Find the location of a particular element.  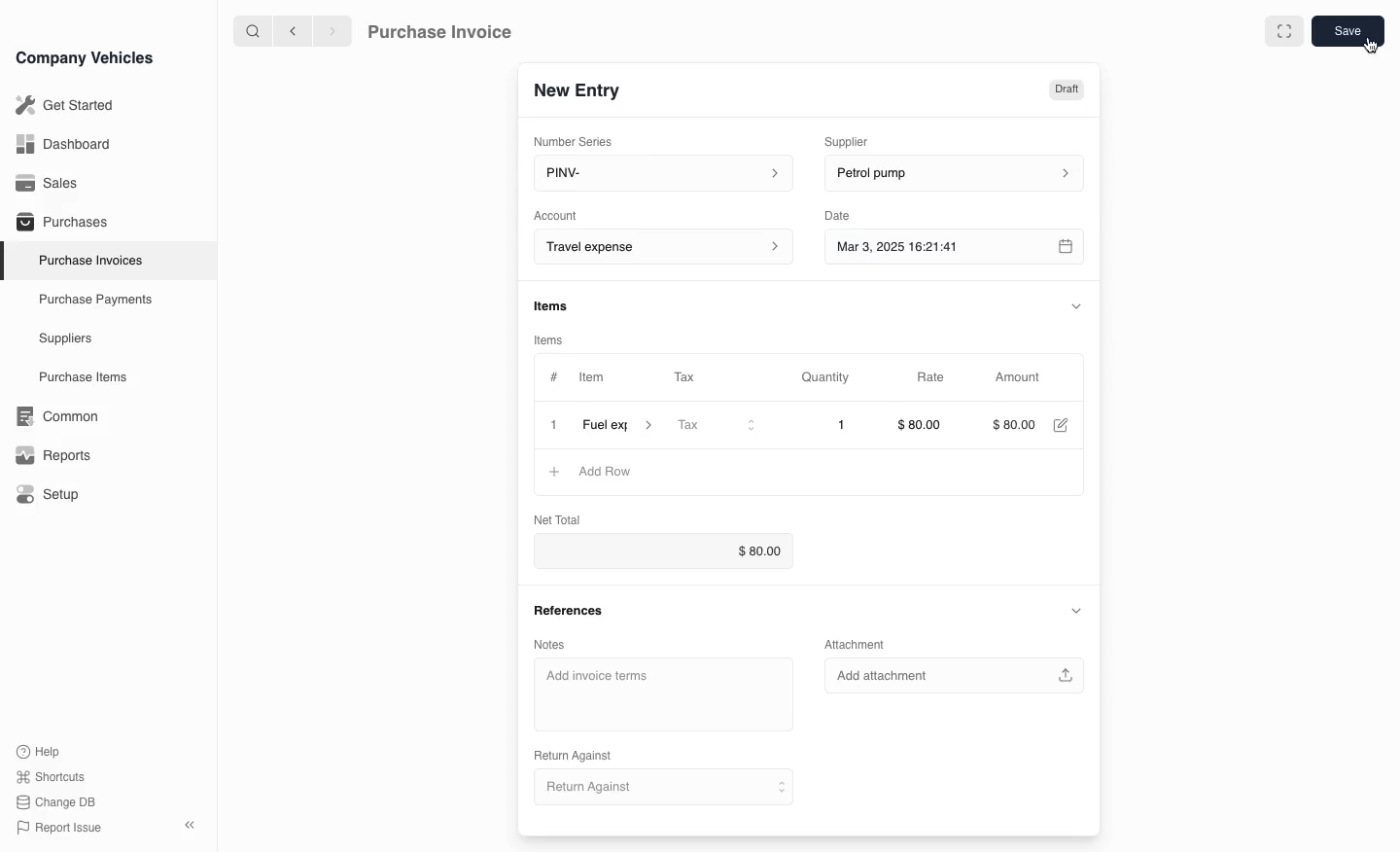

calender is located at coordinates (1067, 248).